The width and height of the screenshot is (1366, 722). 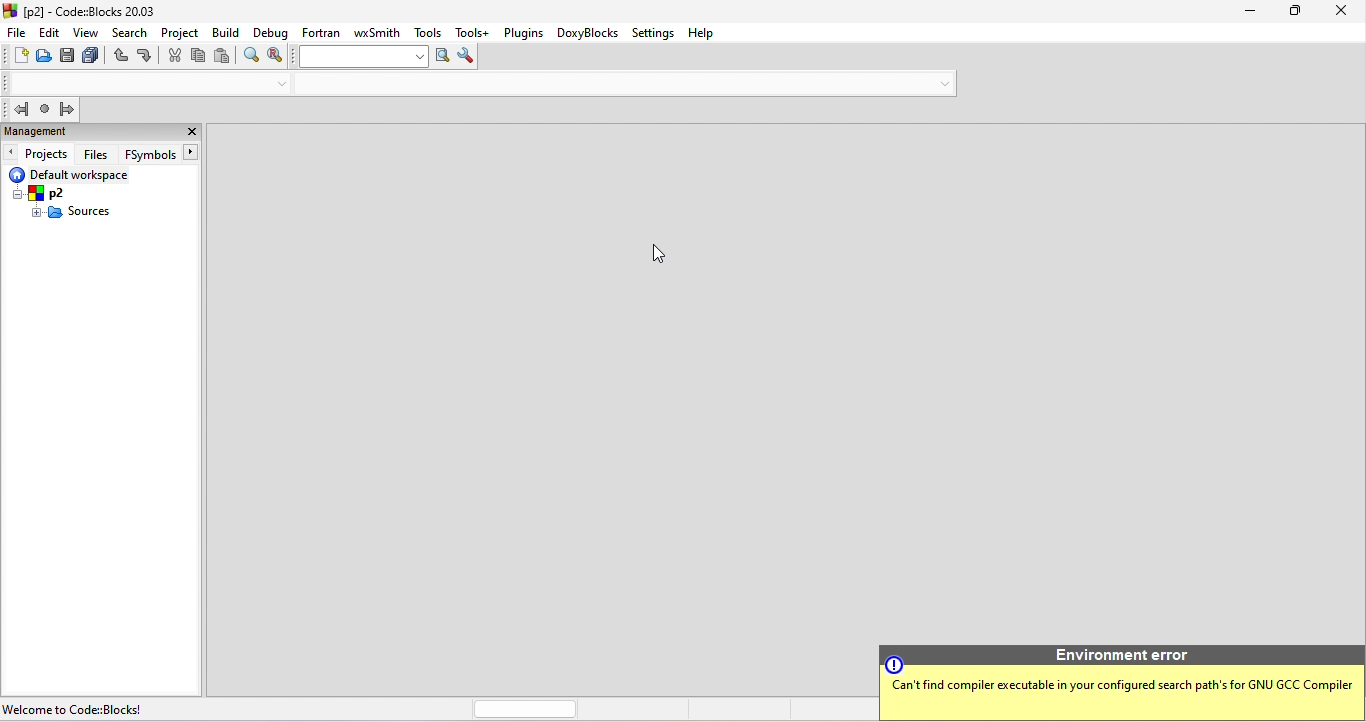 What do you see at coordinates (662, 253) in the screenshot?
I see `Cursor` at bounding box center [662, 253].